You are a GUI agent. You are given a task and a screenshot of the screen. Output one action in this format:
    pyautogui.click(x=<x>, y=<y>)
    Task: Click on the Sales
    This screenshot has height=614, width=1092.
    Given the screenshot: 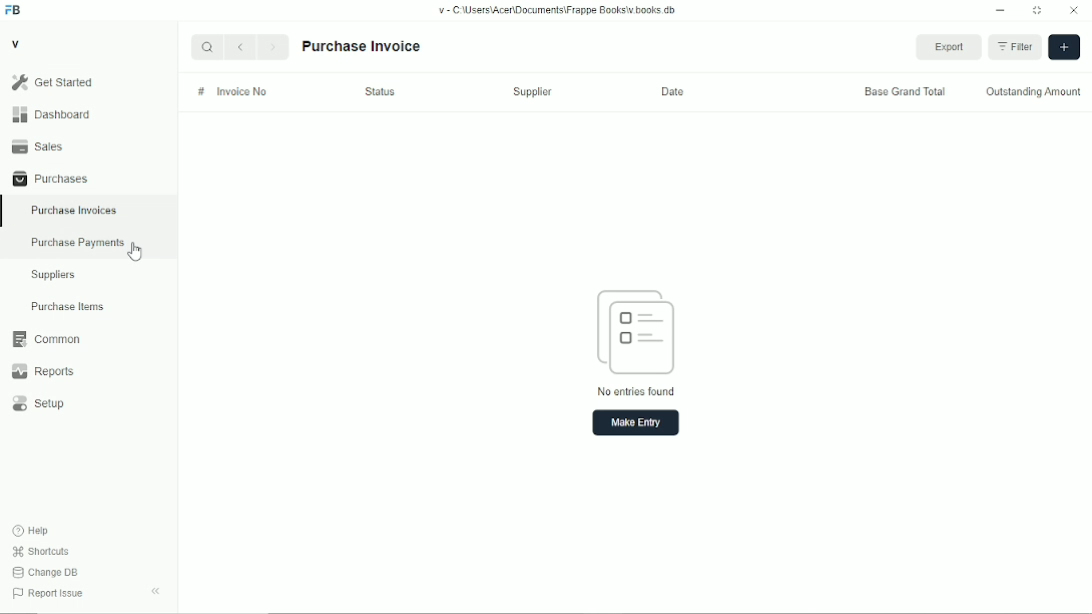 What is the action you would take?
    pyautogui.click(x=88, y=146)
    